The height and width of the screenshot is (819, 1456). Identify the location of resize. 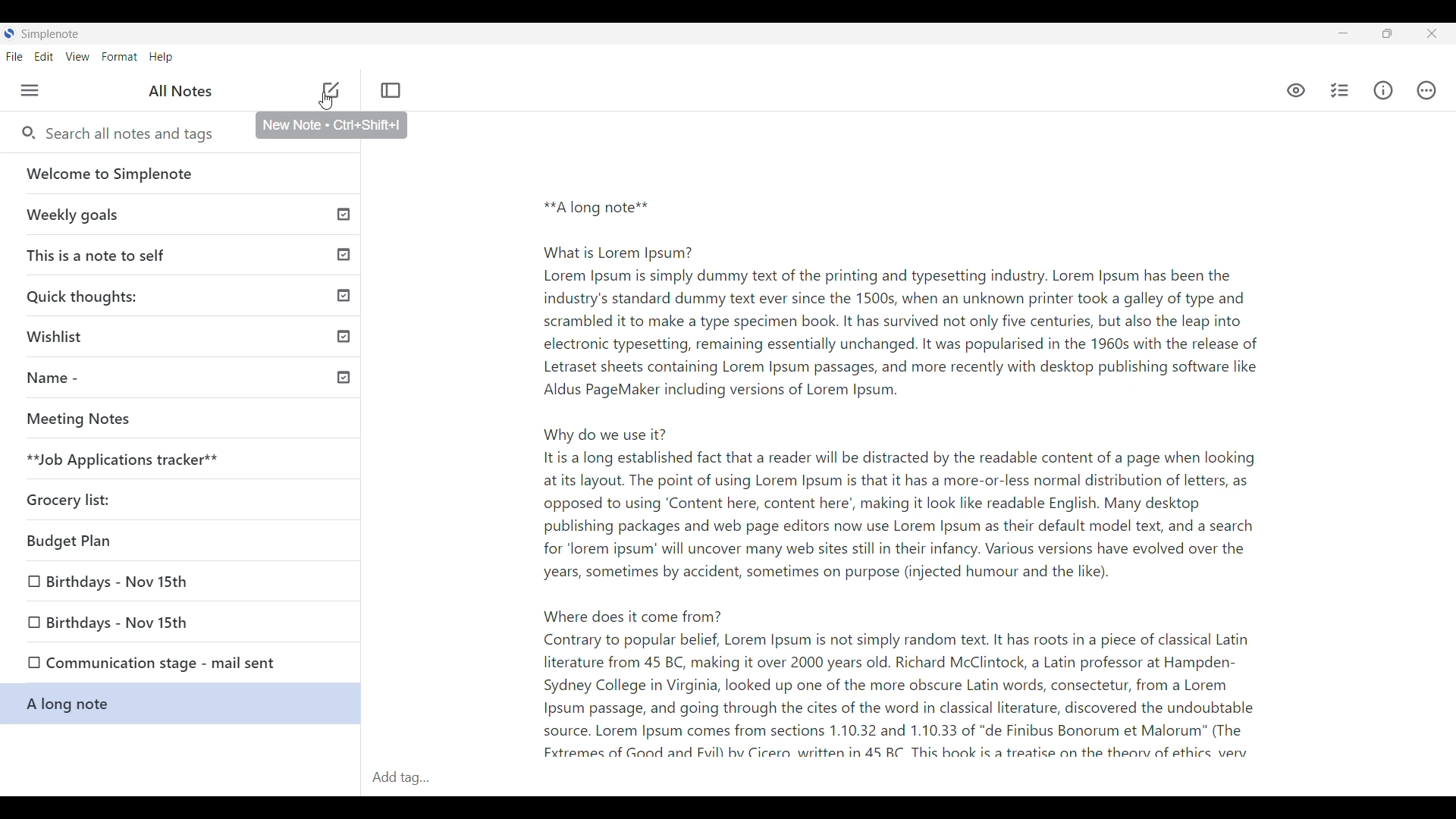
(1388, 33).